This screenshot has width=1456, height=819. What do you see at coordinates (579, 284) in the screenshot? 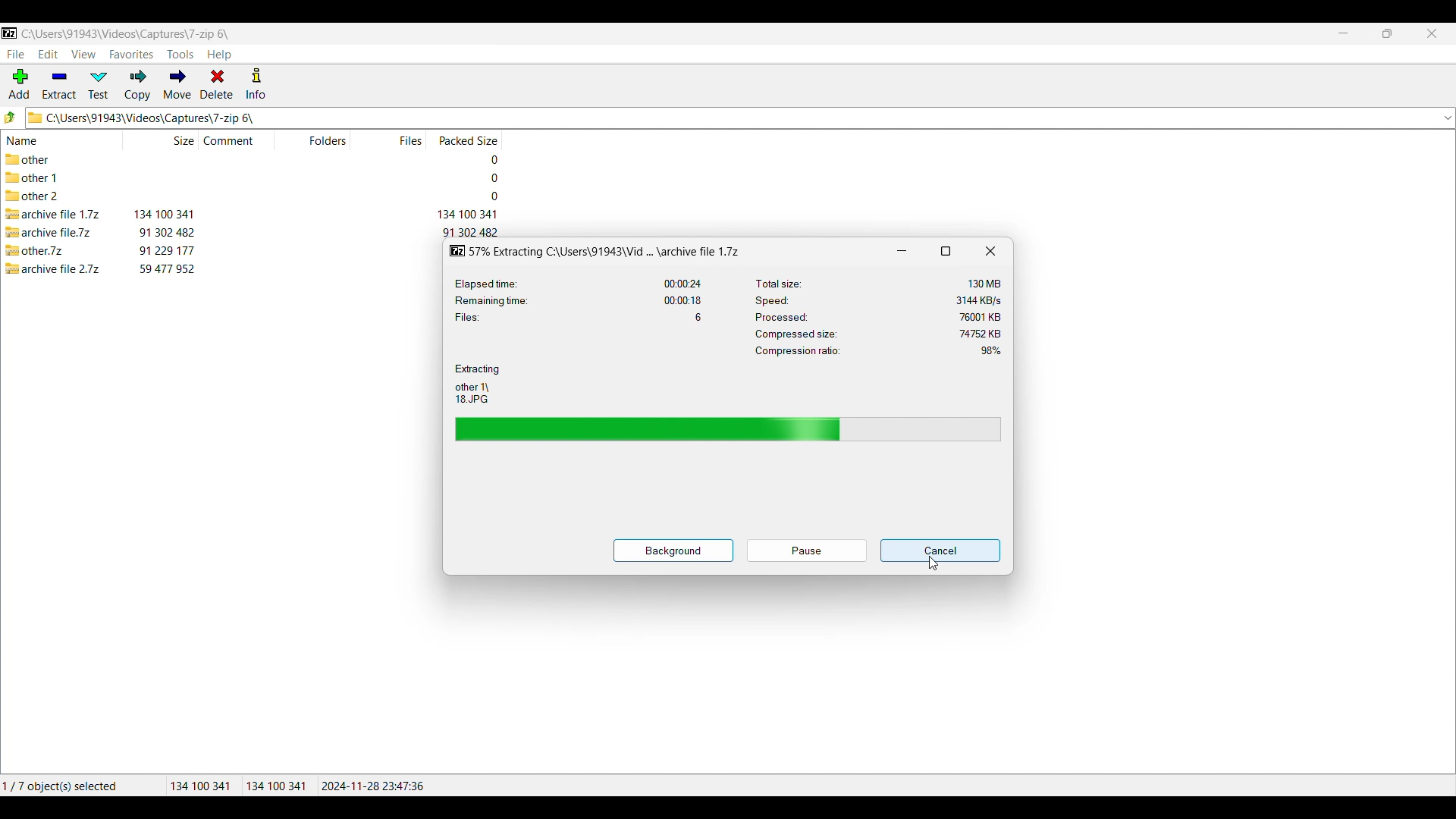
I see `Elapsed time: 00:00:24` at bounding box center [579, 284].